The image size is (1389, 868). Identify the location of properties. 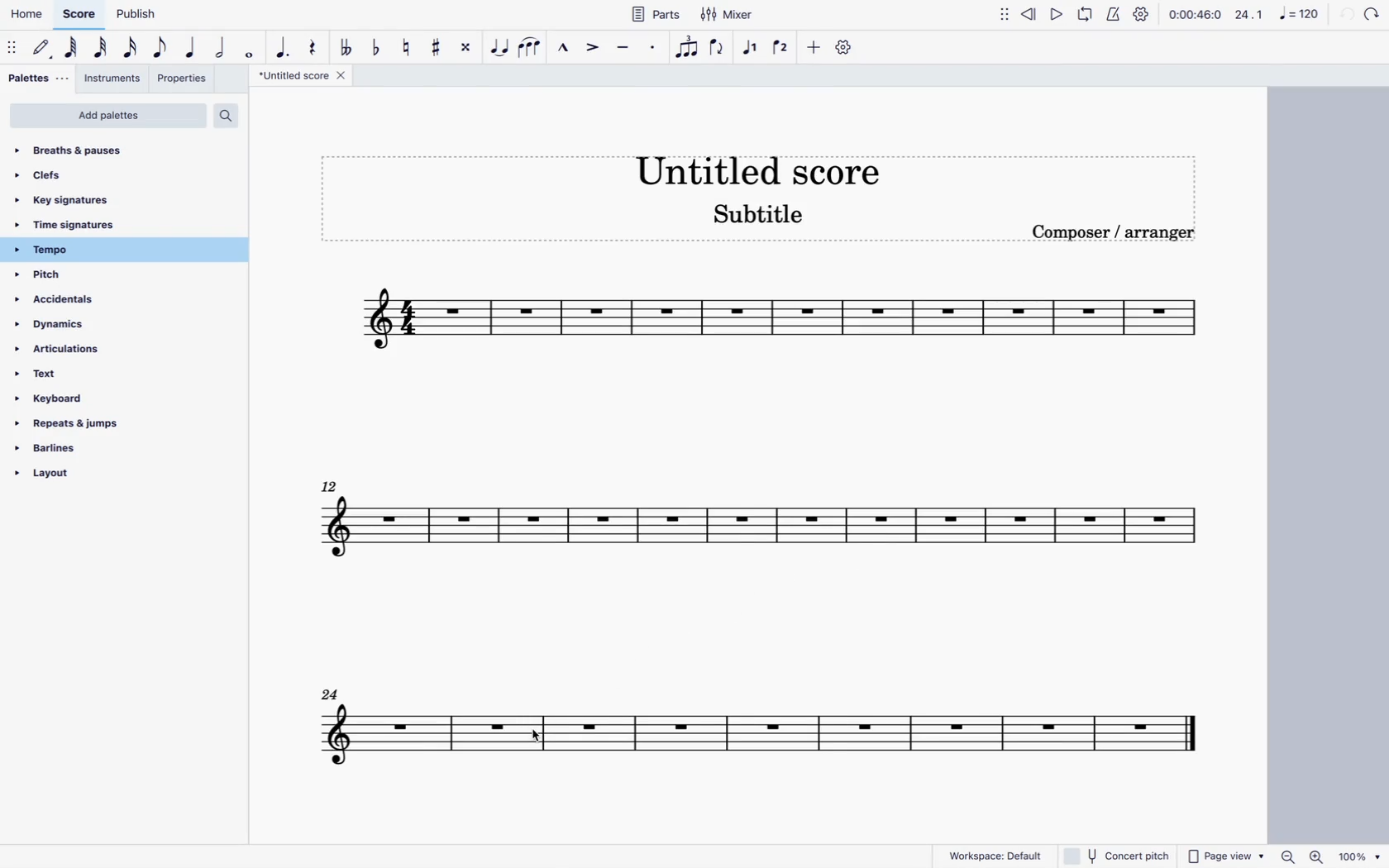
(184, 78).